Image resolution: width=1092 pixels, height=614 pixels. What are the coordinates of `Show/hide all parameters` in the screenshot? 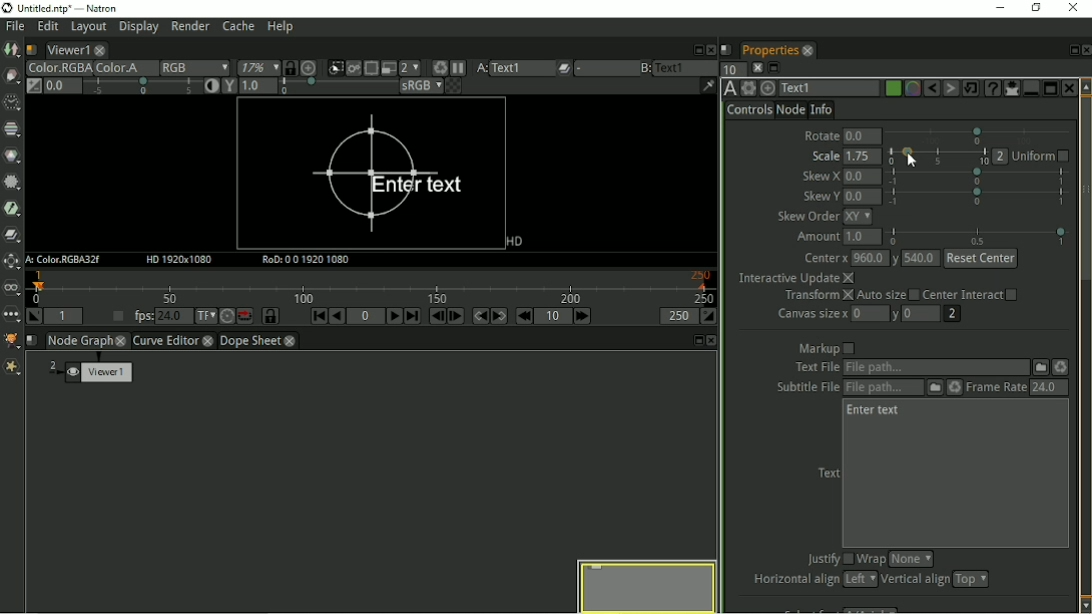 It's located at (1011, 89).